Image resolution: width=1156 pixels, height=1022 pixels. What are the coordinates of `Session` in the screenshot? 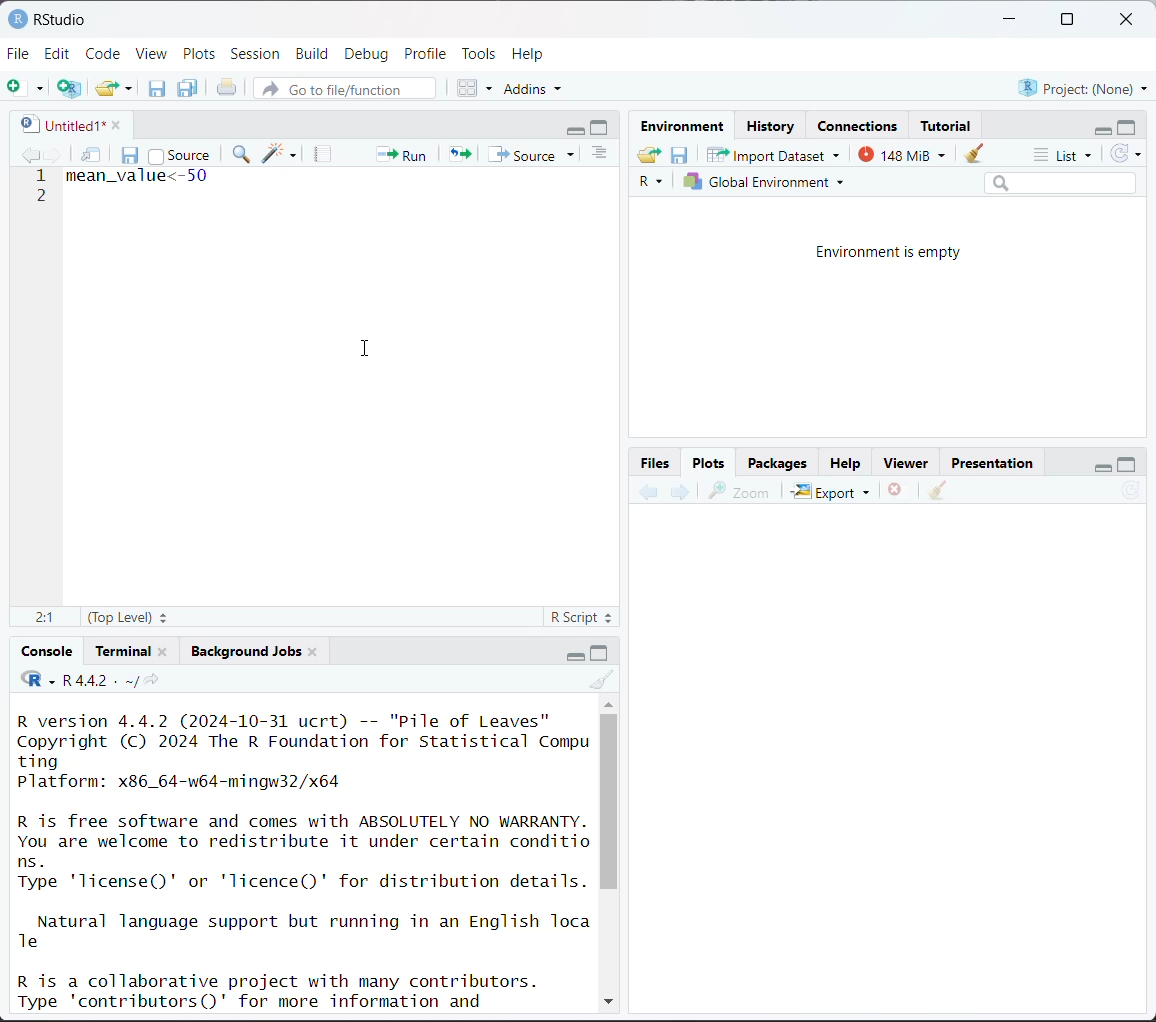 It's located at (256, 55).